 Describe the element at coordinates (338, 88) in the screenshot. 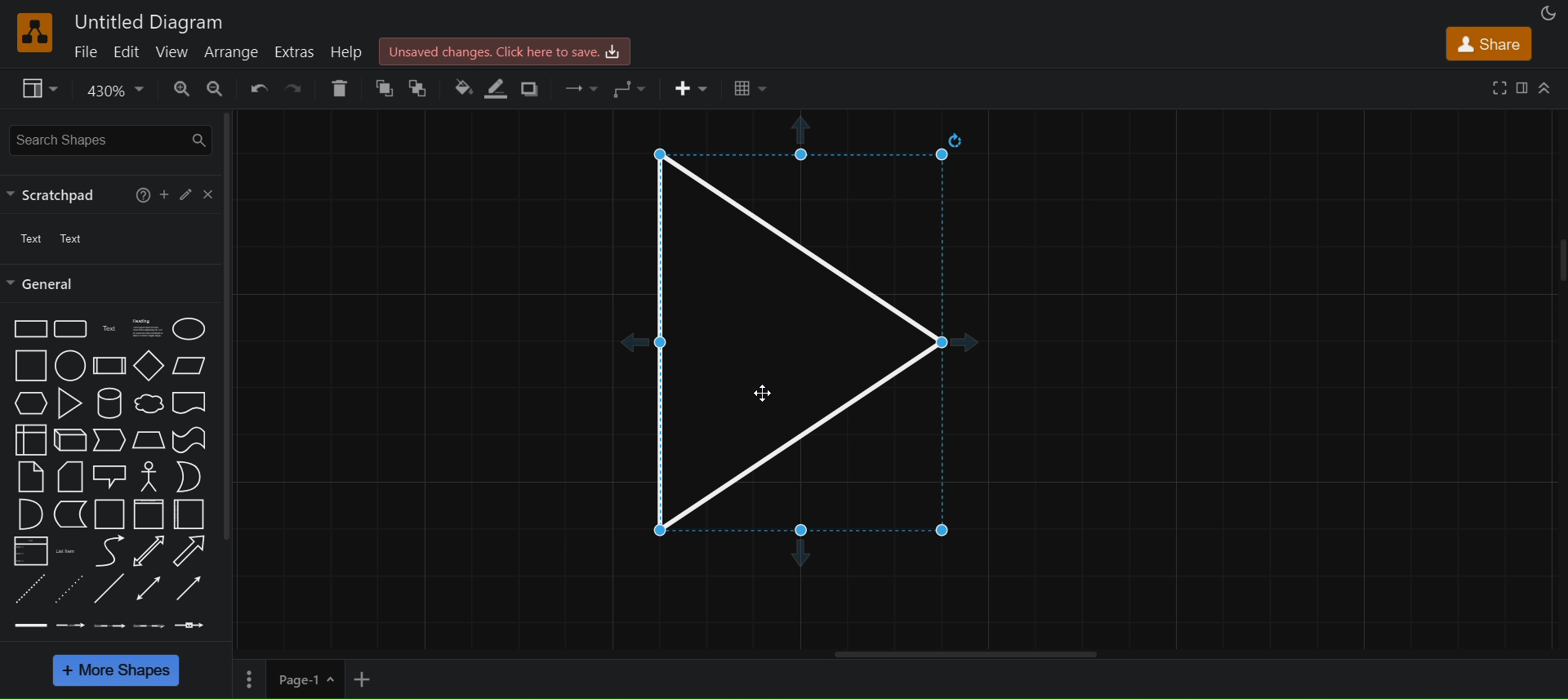

I see `delete` at that location.